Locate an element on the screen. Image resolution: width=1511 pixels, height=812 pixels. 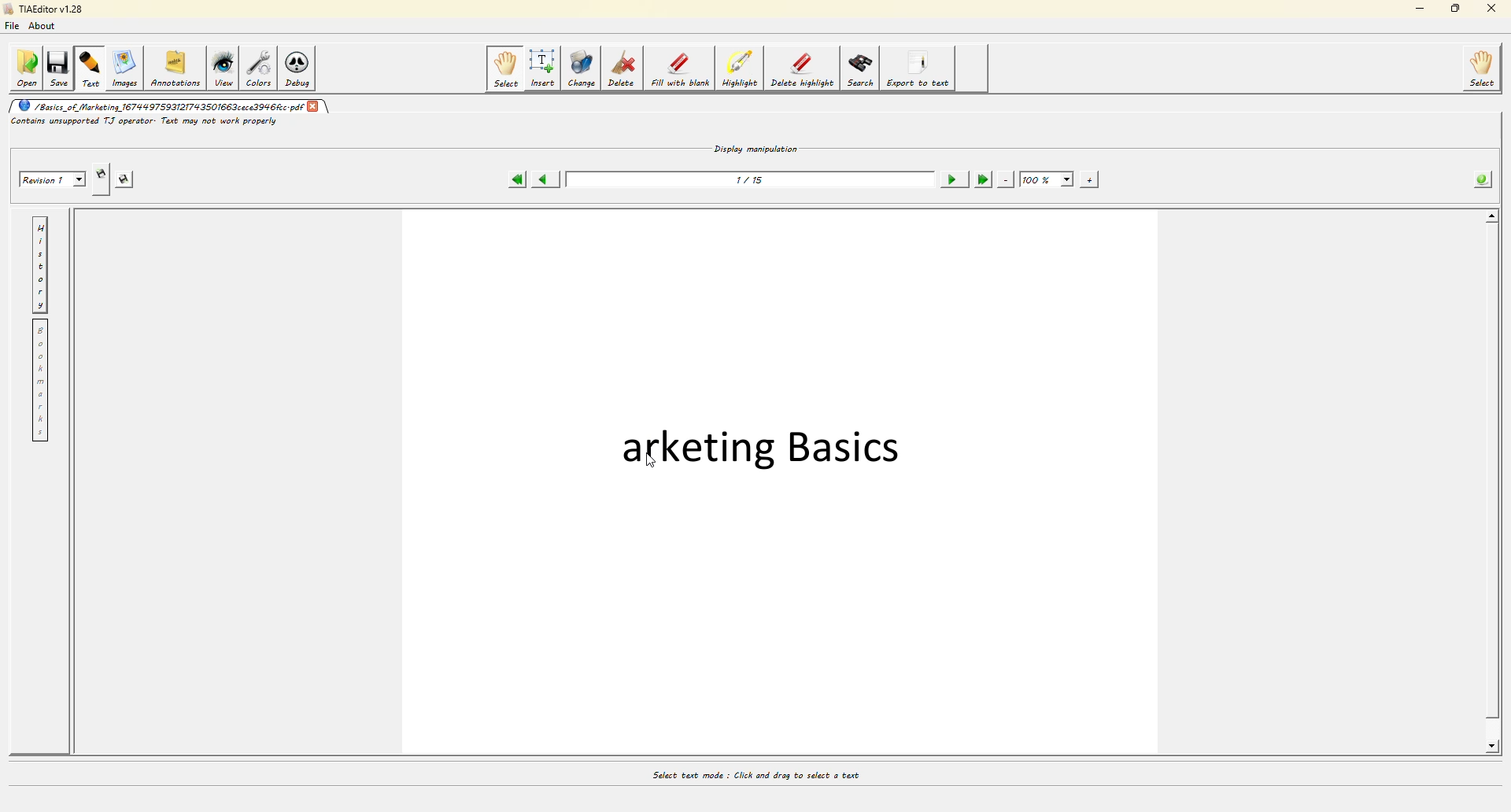
annotations is located at coordinates (175, 68).